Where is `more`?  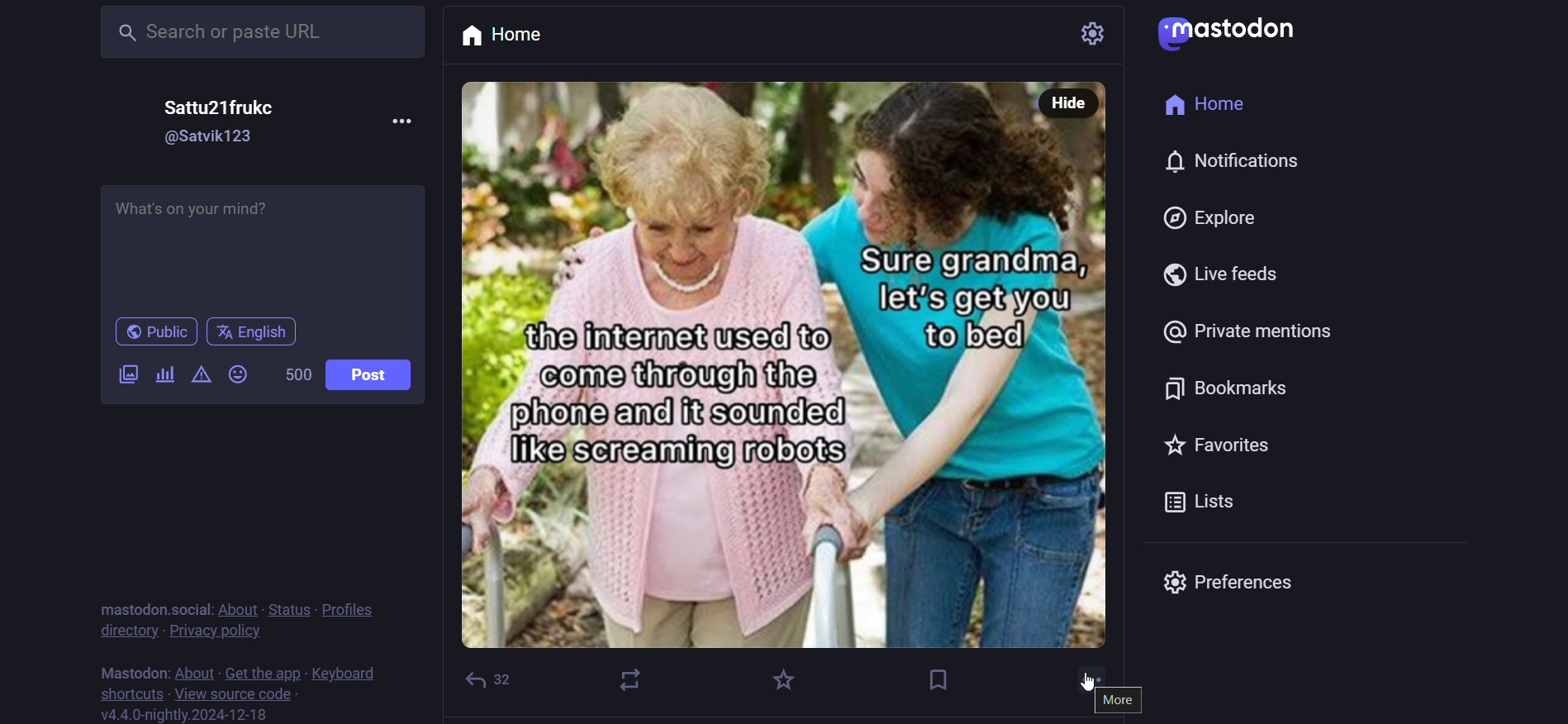
more is located at coordinates (1120, 700).